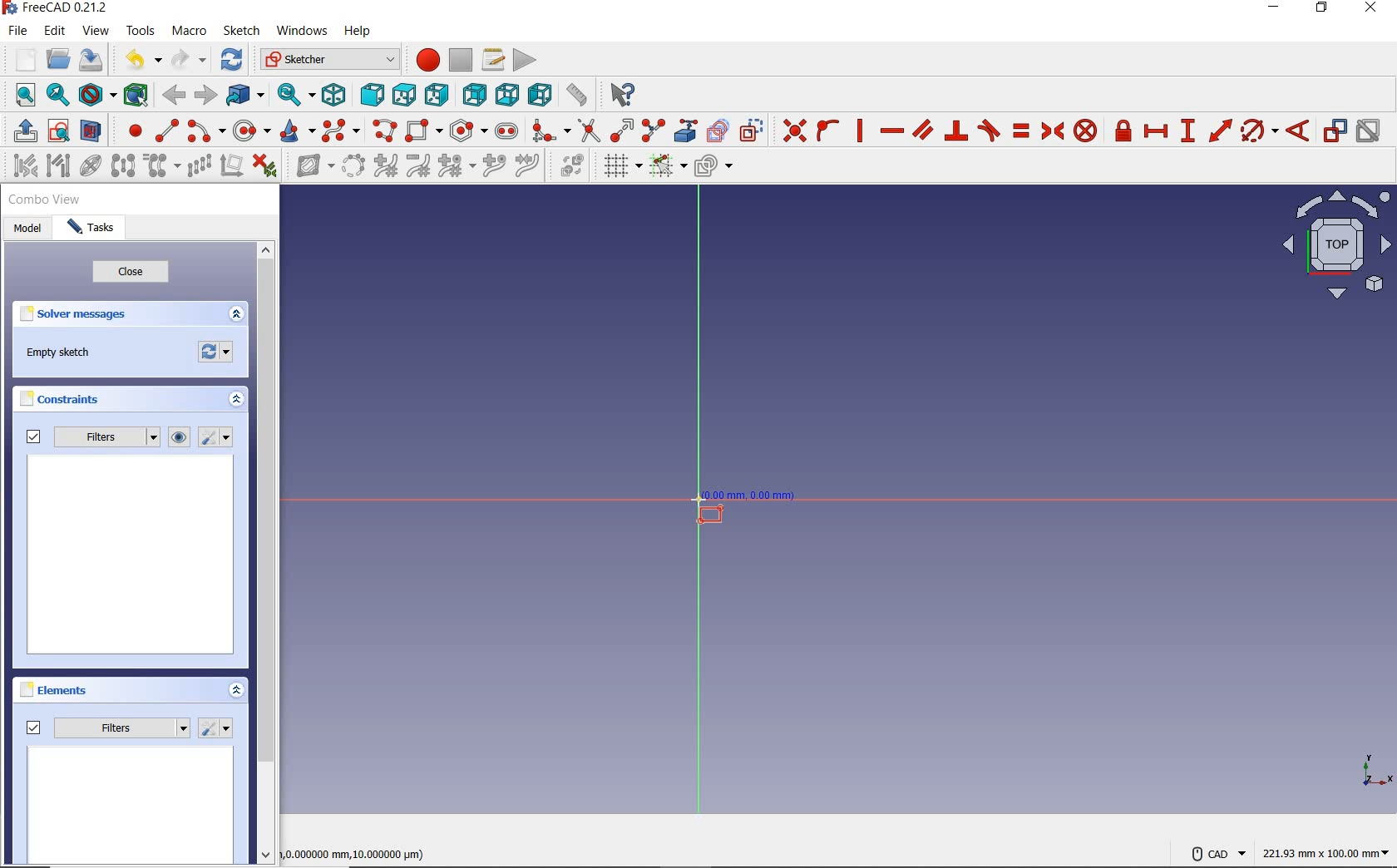  I want to click on rear, so click(474, 95).